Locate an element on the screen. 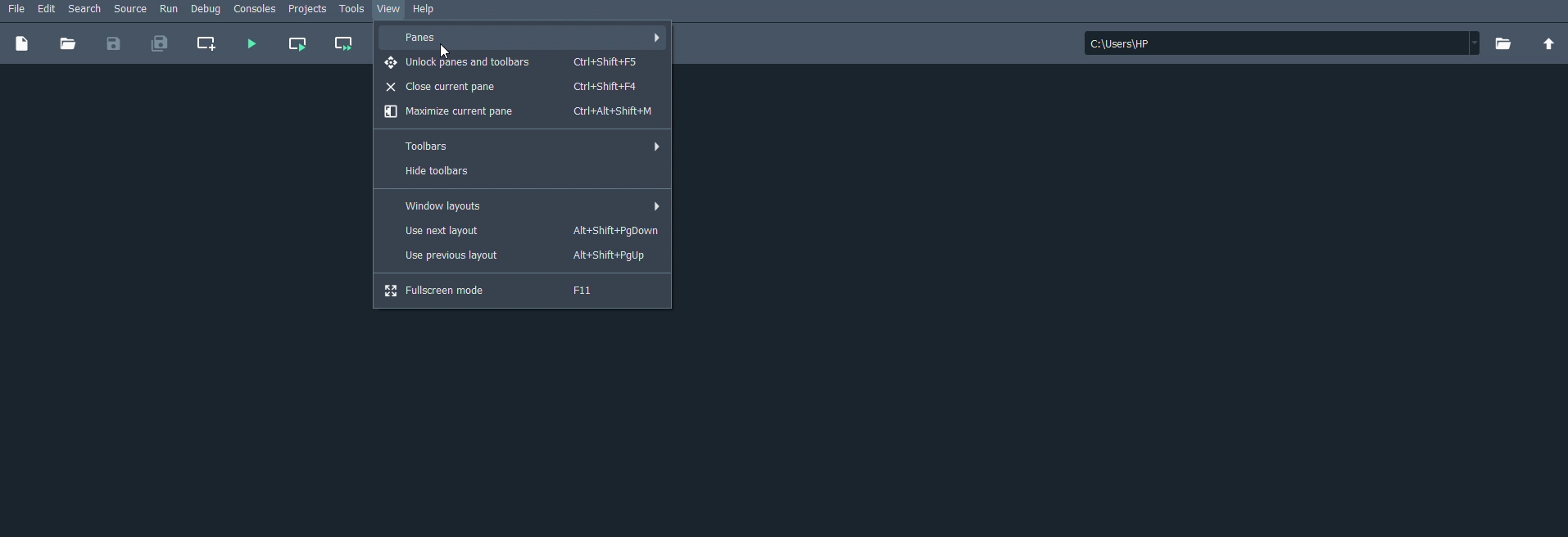 This screenshot has height=537, width=1568. Run is located at coordinates (170, 11).